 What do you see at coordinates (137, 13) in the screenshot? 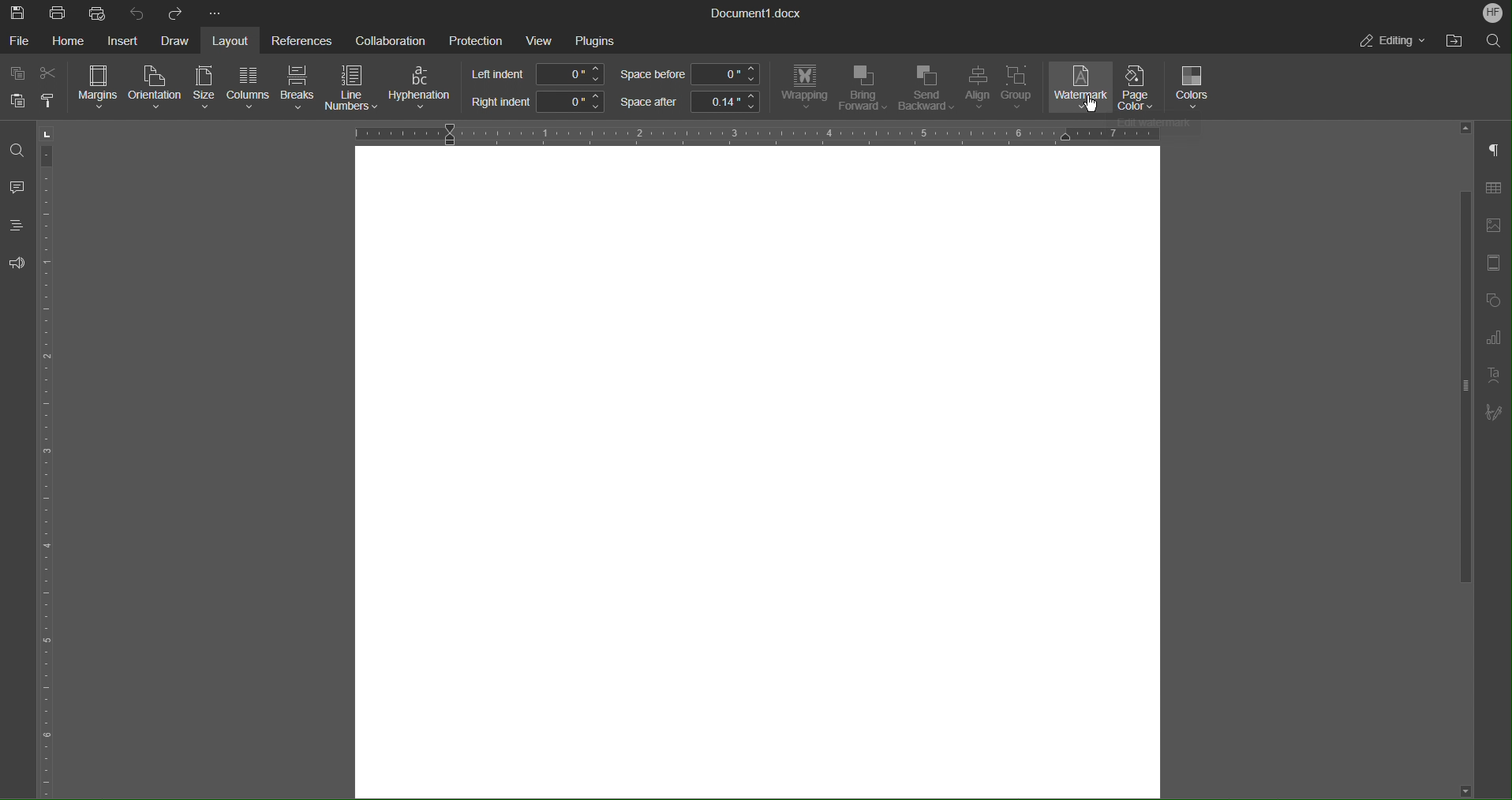
I see `Undo` at bounding box center [137, 13].